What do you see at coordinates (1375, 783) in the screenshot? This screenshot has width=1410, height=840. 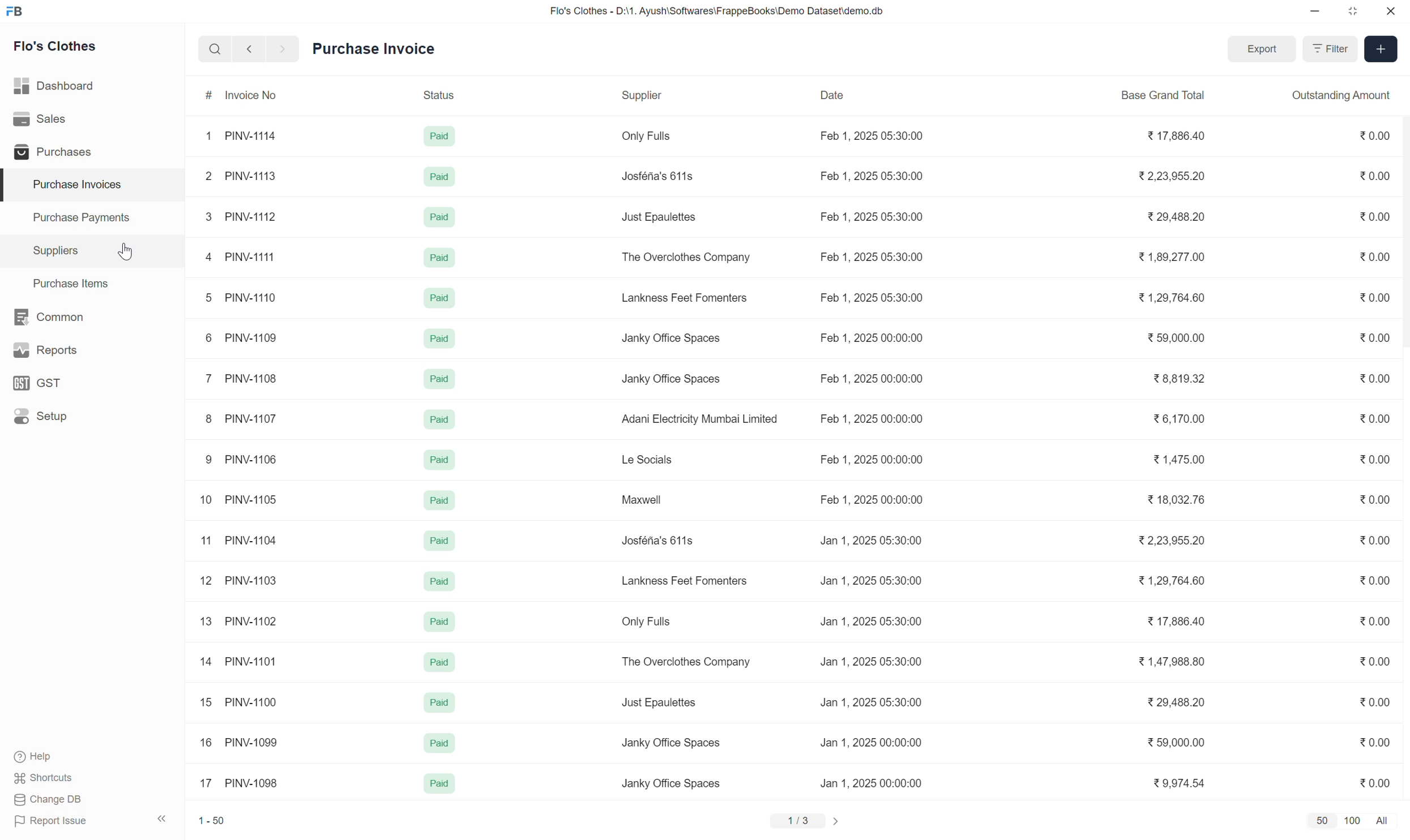 I see `0.00` at bounding box center [1375, 783].